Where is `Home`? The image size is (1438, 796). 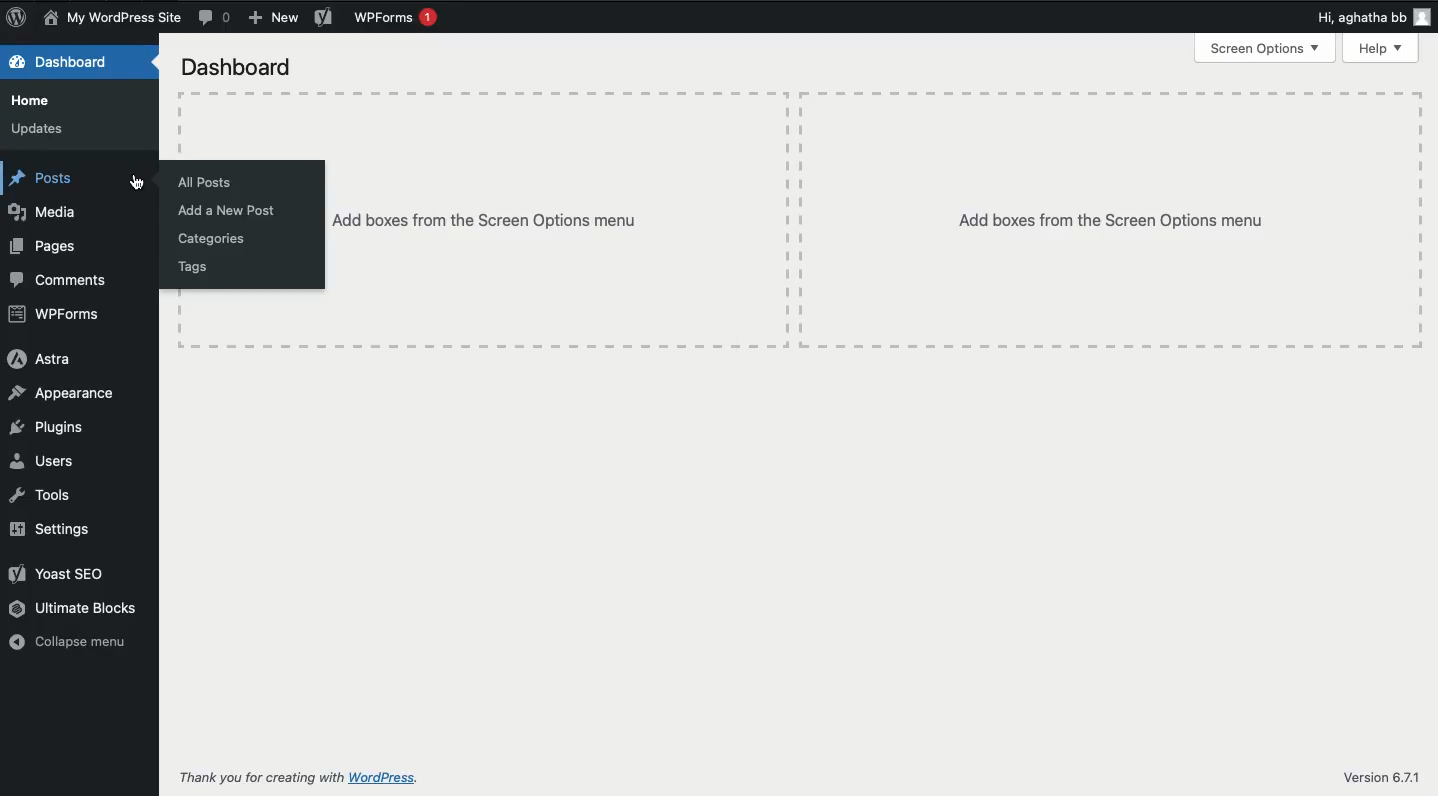 Home is located at coordinates (32, 102).